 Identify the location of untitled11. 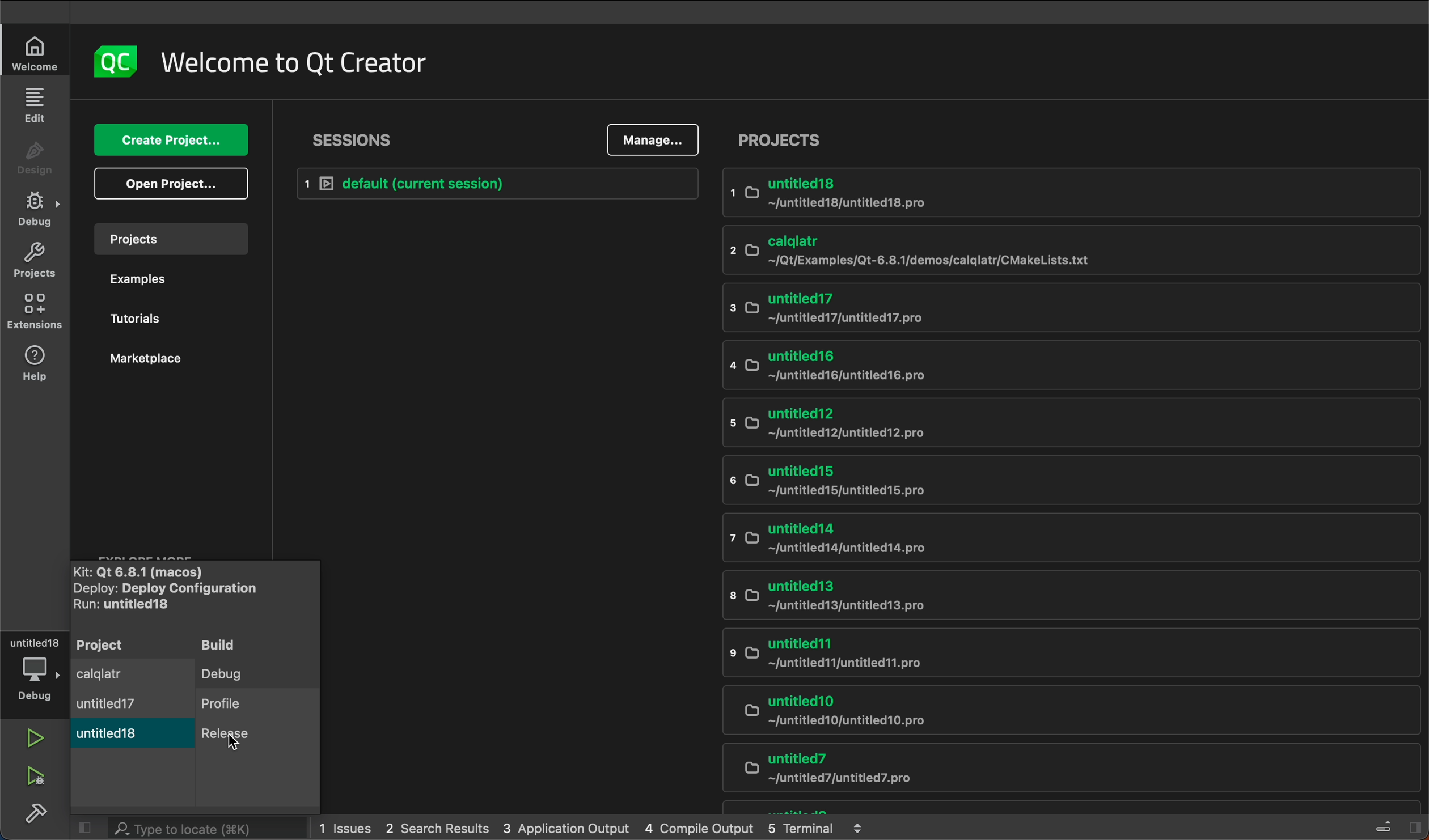
(1034, 655).